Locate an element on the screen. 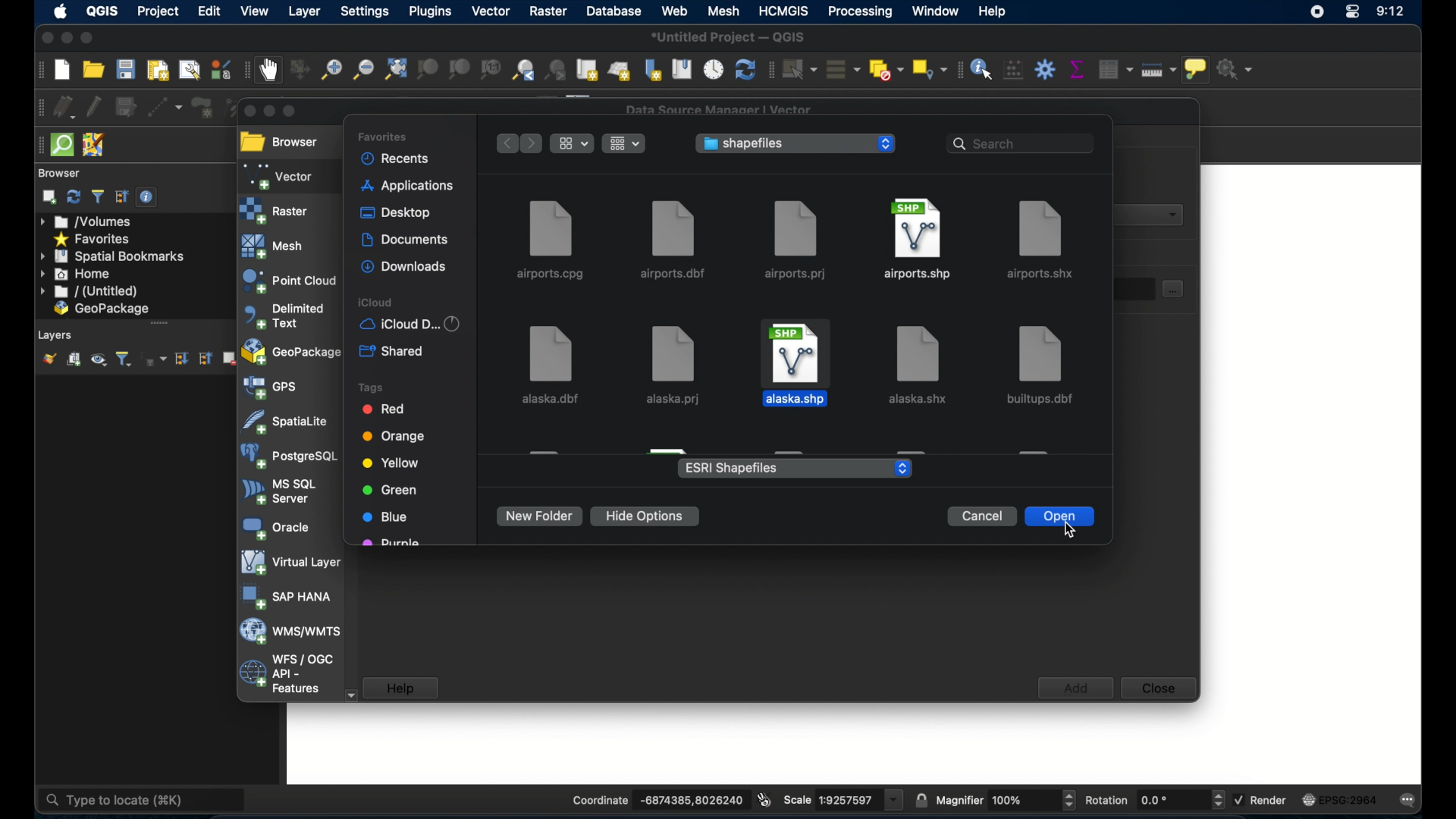  alaska.dbf  file is located at coordinates (551, 363).